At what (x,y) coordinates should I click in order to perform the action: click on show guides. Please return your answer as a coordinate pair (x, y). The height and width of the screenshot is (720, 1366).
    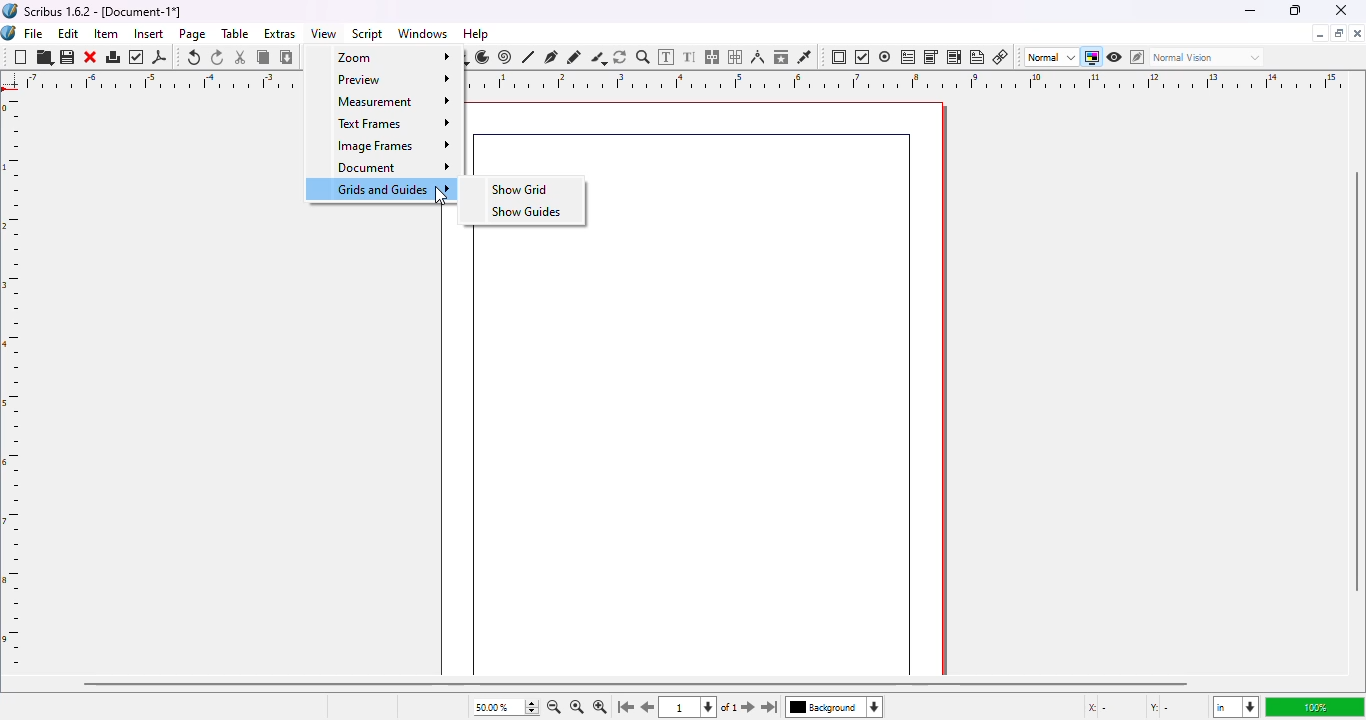
    Looking at the image, I should click on (522, 213).